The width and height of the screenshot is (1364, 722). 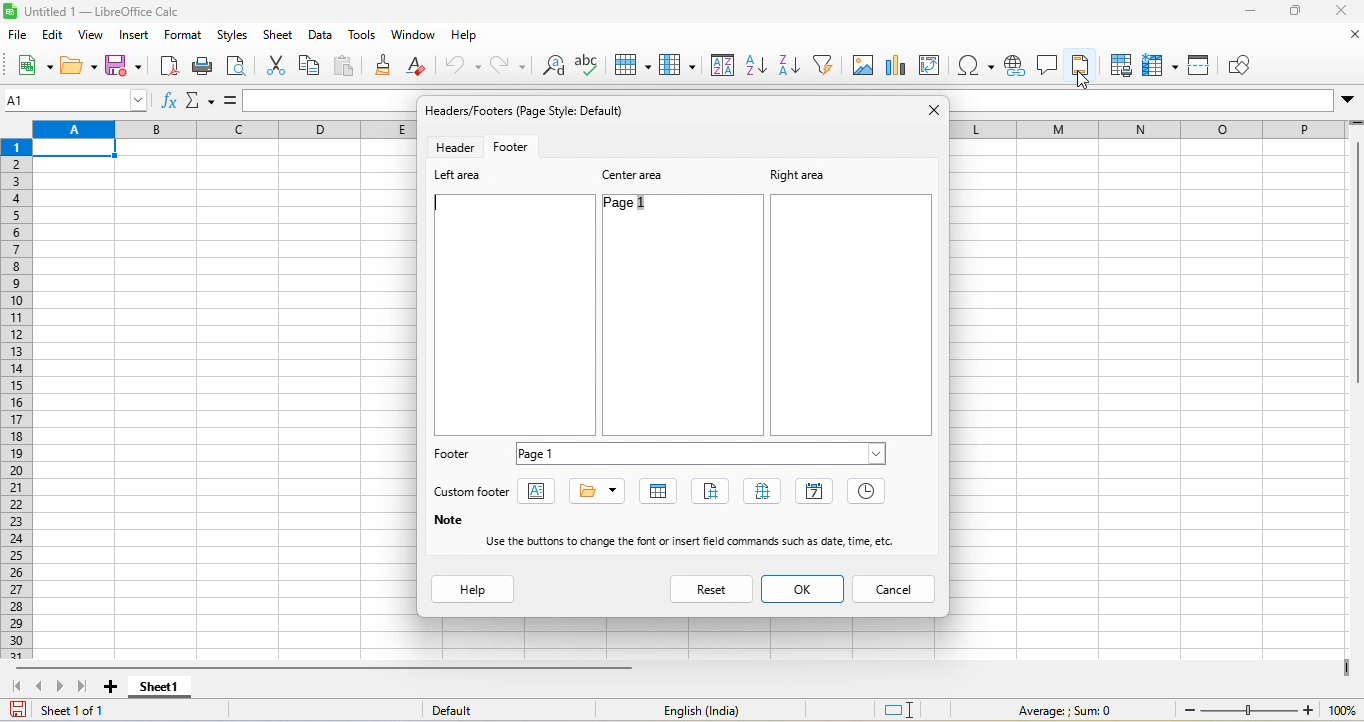 What do you see at coordinates (590, 64) in the screenshot?
I see `spelling` at bounding box center [590, 64].